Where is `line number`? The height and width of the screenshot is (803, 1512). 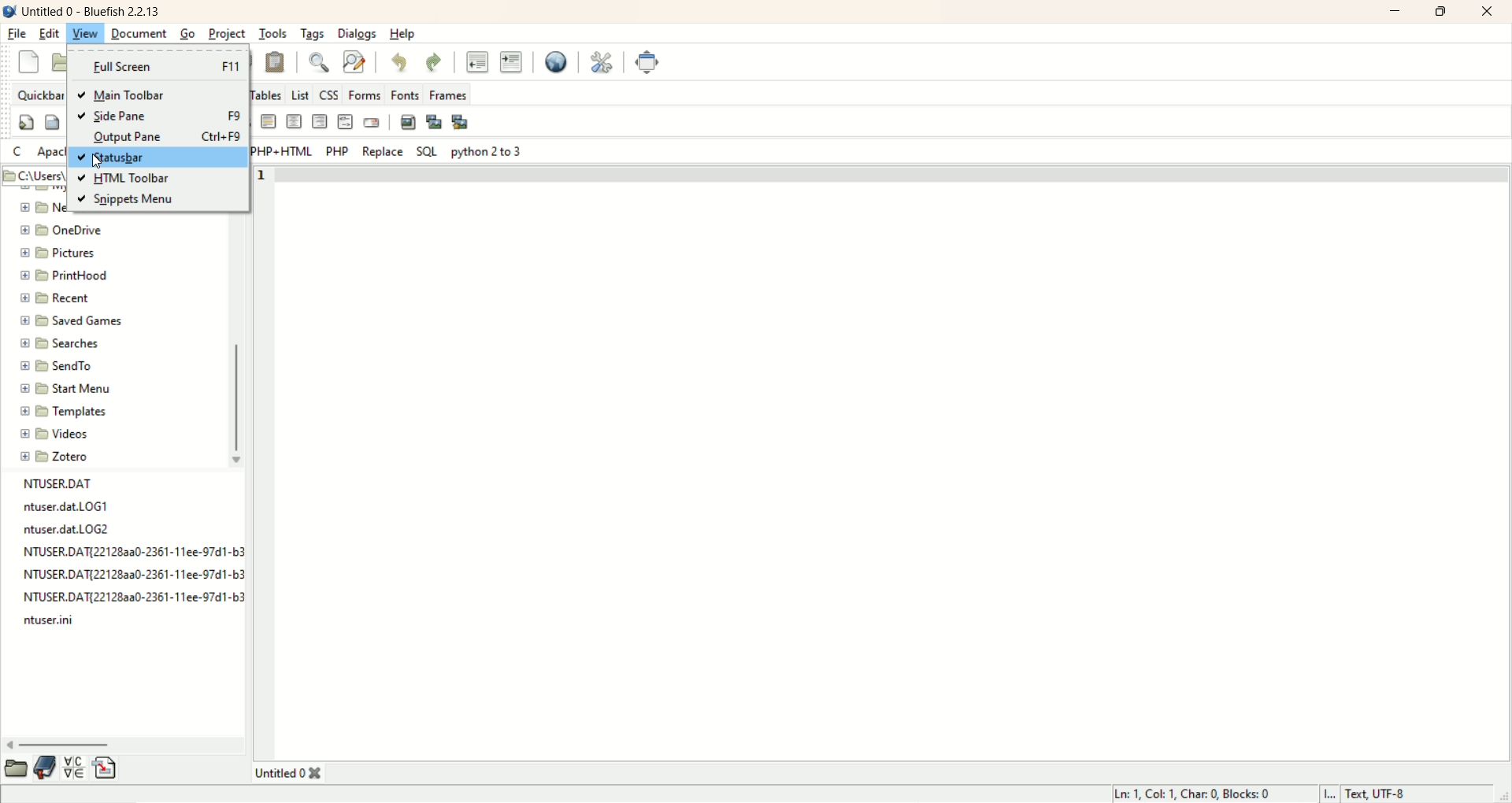 line number is located at coordinates (265, 175).